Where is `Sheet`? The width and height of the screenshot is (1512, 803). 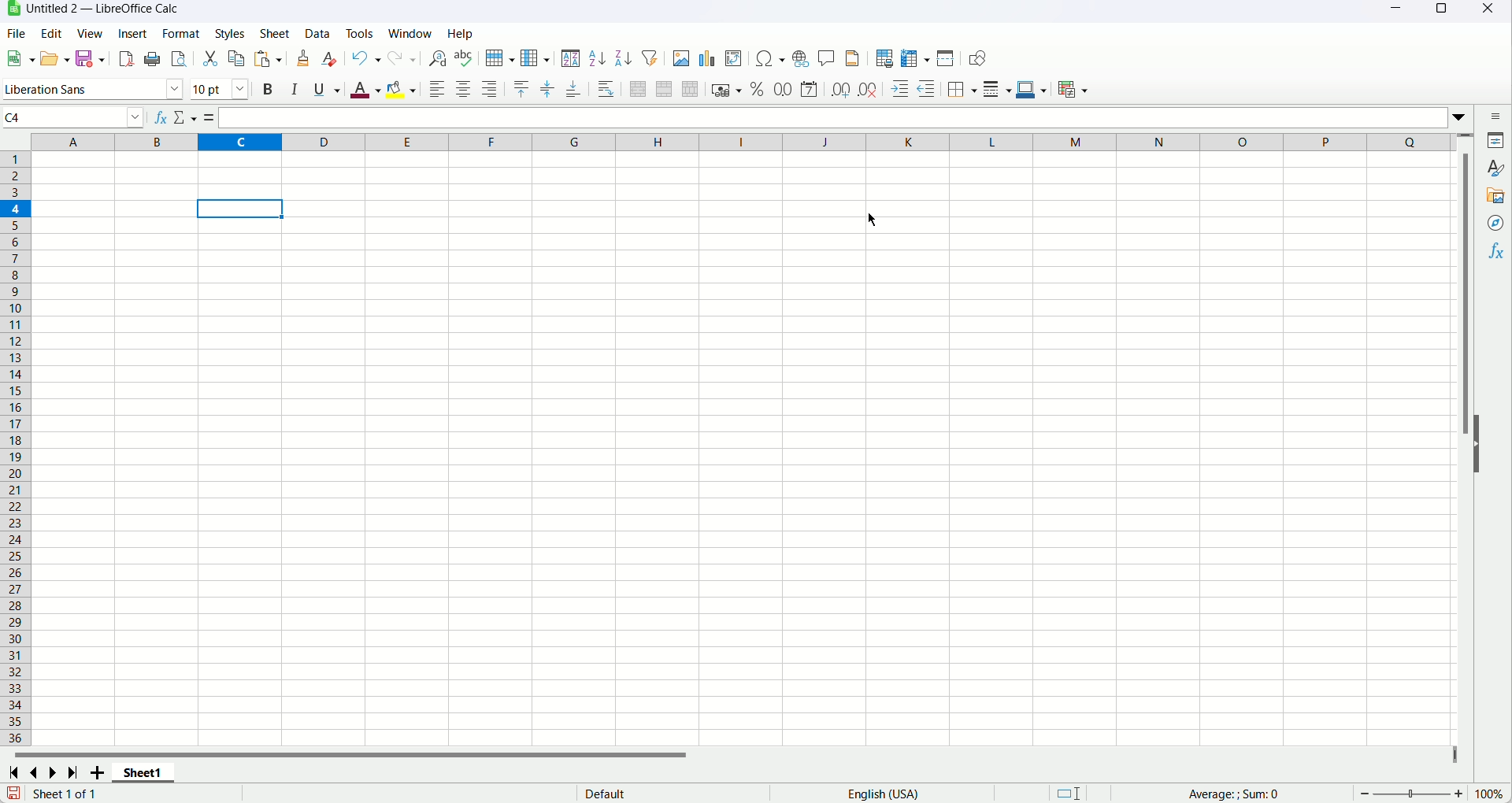
Sheet is located at coordinates (274, 34).